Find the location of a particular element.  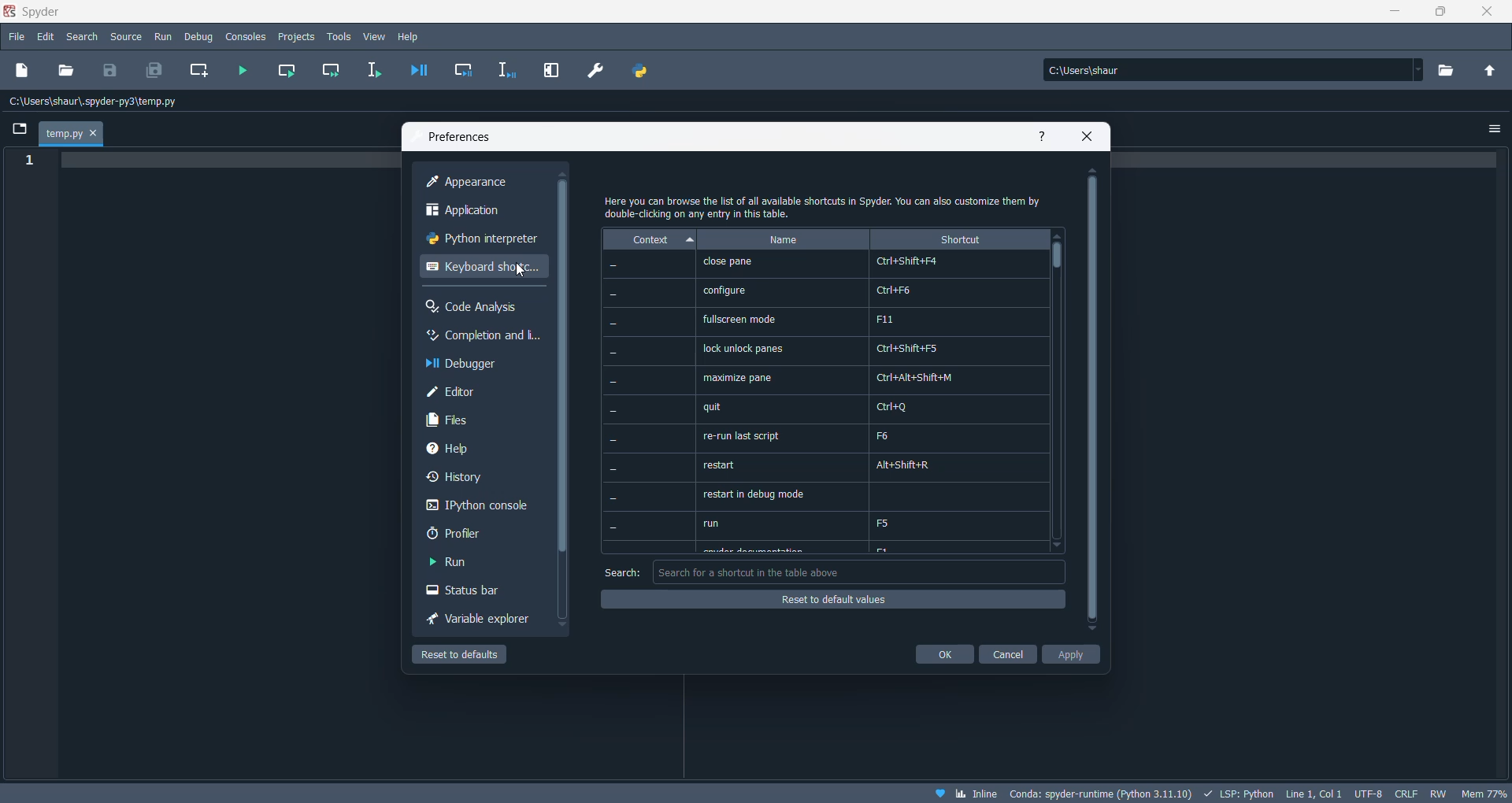

line and column number is located at coordinates (1310, 794).